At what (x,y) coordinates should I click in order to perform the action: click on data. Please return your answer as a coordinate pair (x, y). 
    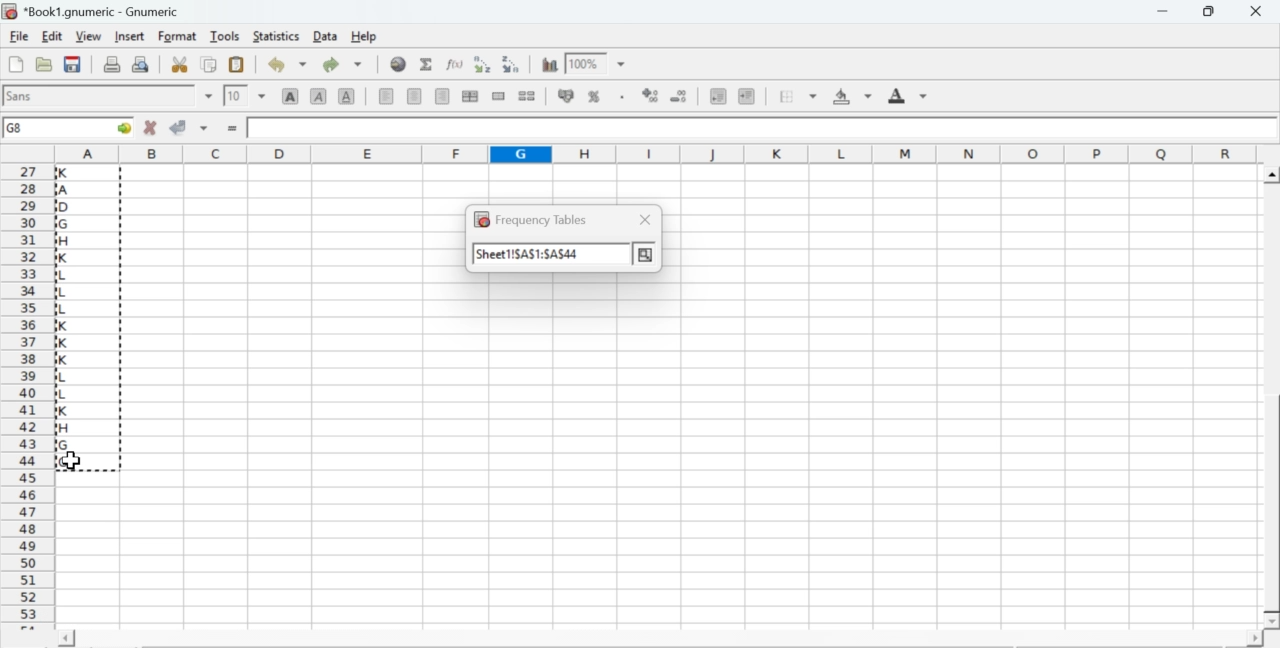
    Looking at the image, I should click on (327, 35).